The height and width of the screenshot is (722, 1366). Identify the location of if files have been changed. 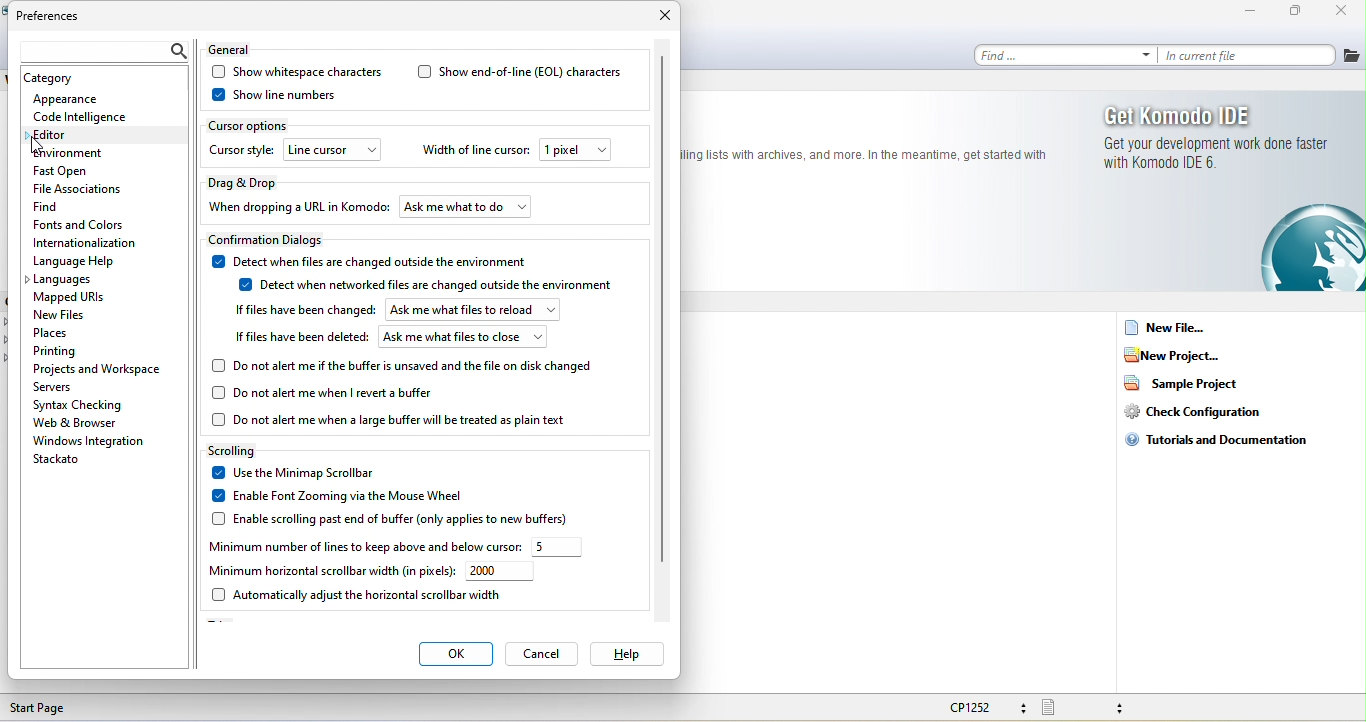
(302, 310).